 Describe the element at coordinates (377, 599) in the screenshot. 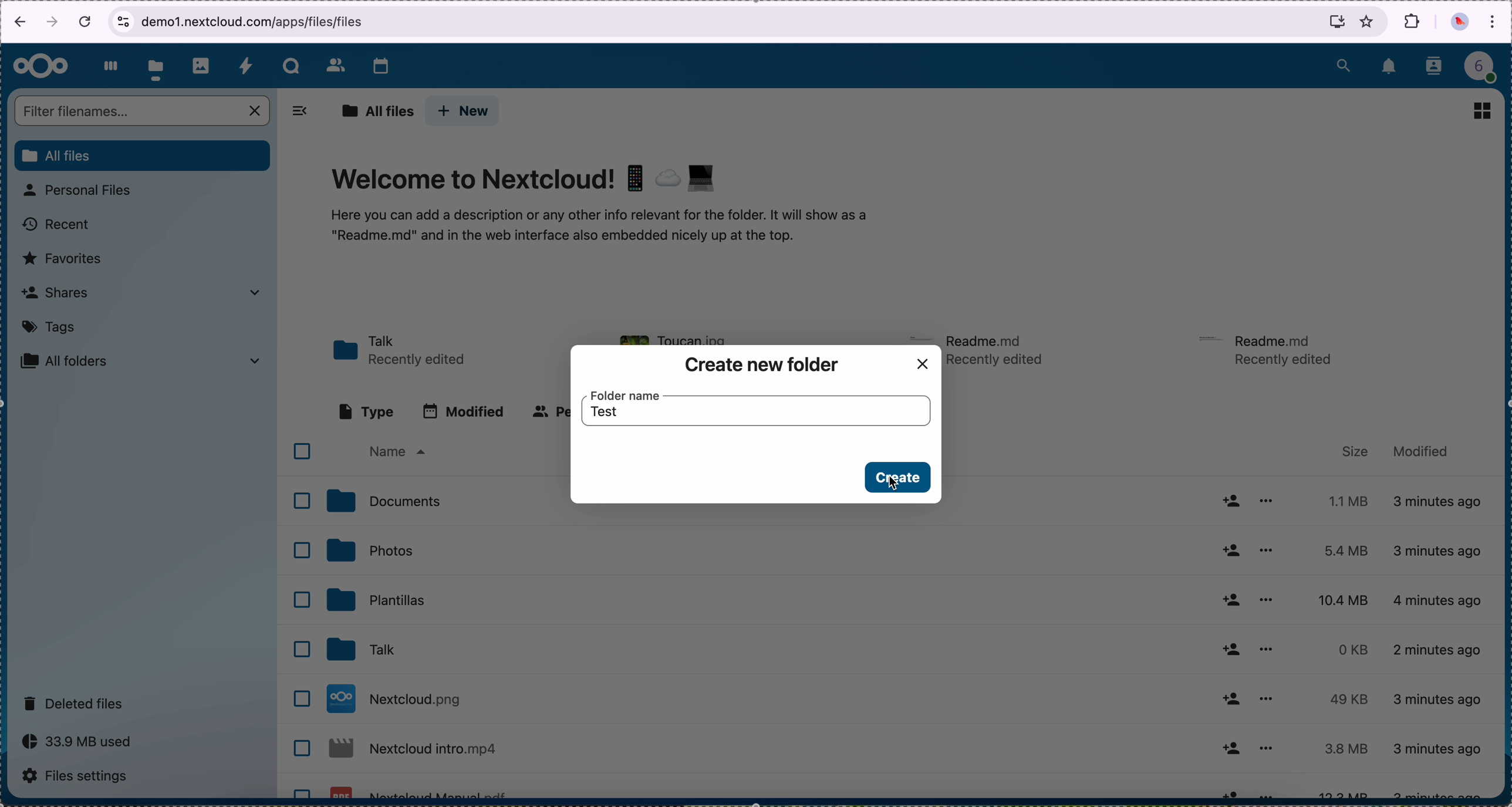

I see `templates` at that location.